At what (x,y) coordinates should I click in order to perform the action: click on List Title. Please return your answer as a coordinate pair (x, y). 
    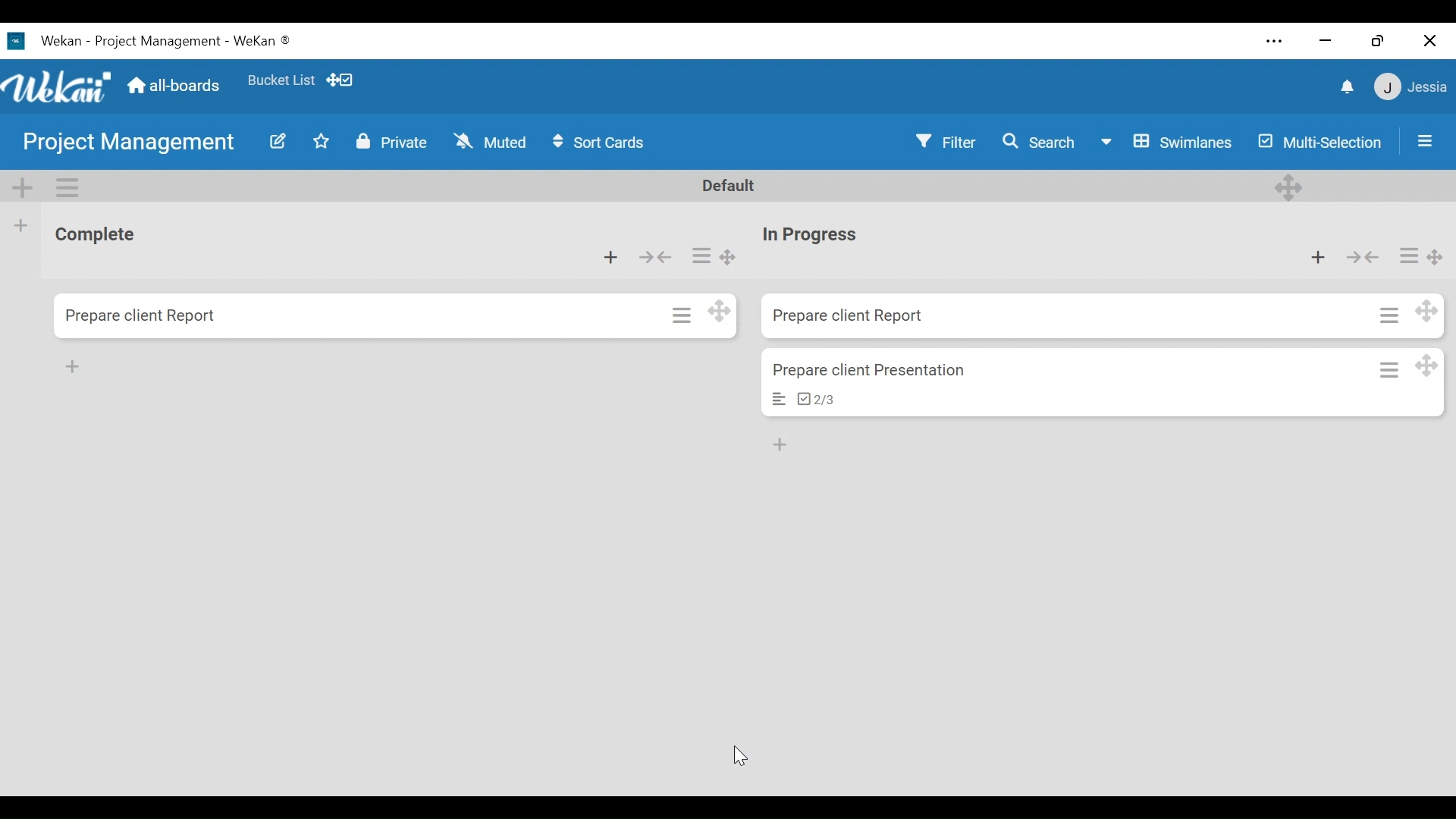
    Looking at the image, I should click on (102, 236).